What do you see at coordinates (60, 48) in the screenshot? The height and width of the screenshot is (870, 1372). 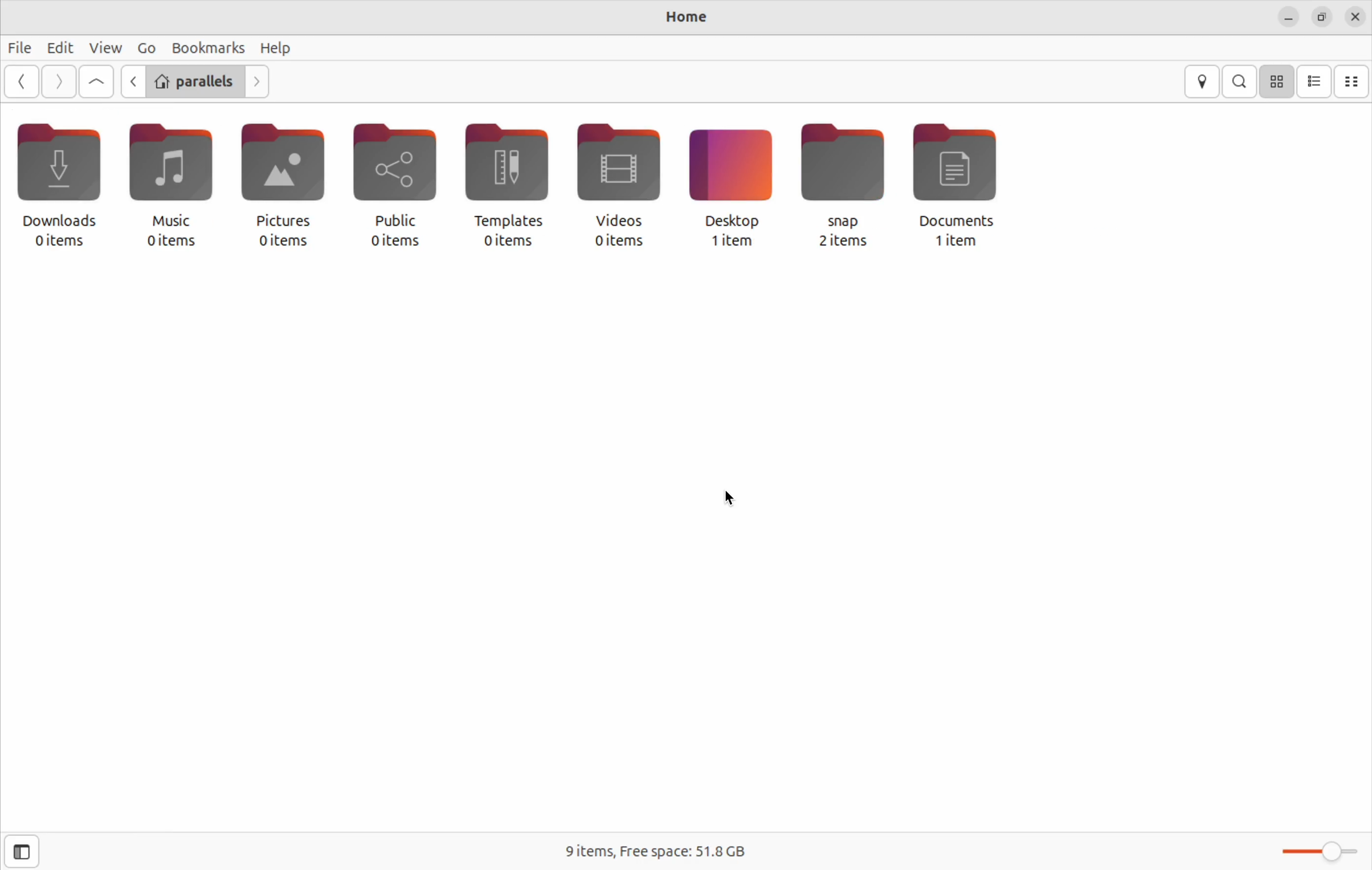 I see `Edit` at bounding box center [60, 48].